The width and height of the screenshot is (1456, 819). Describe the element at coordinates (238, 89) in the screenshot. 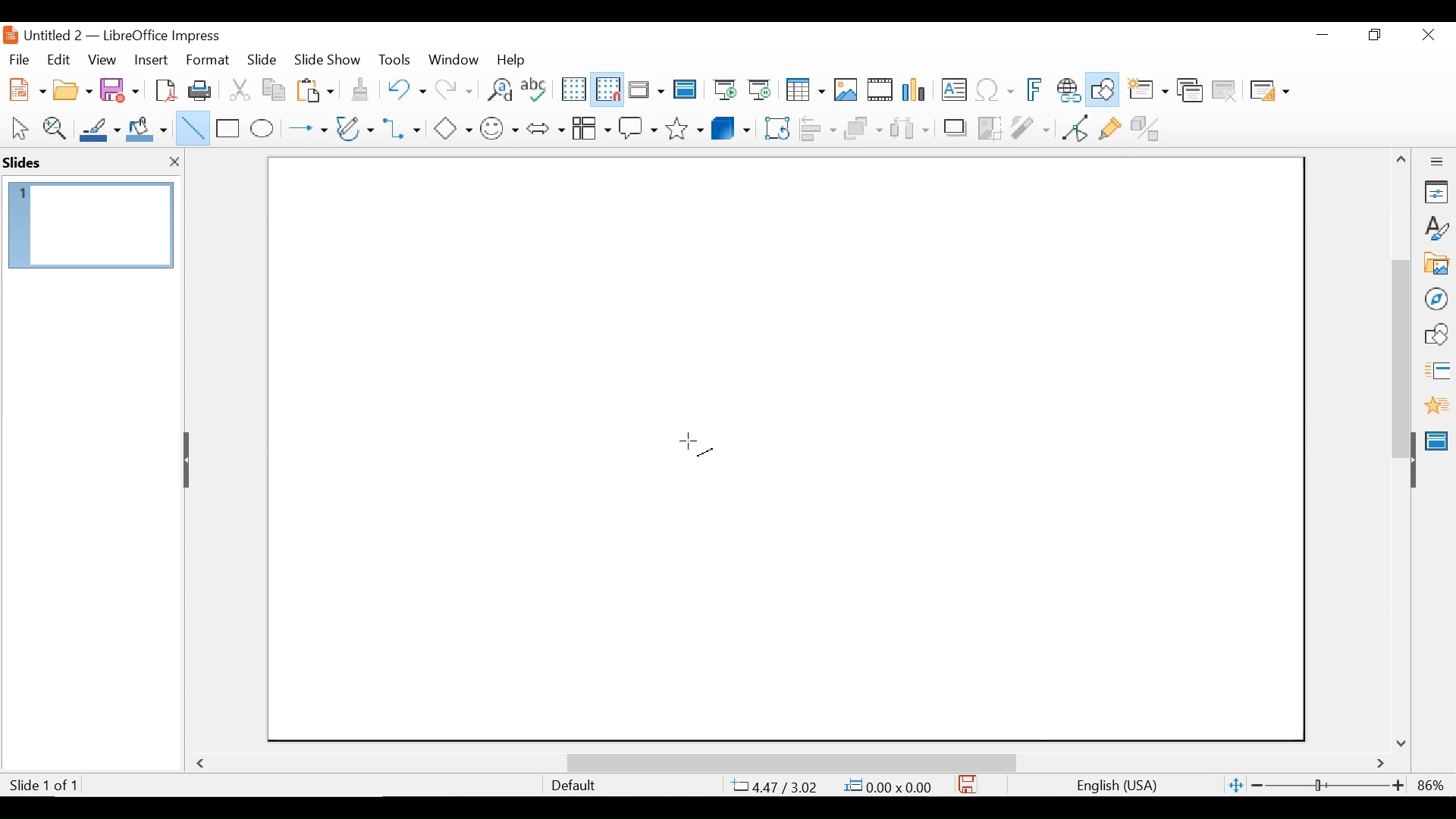

I see `Cut` at that location.